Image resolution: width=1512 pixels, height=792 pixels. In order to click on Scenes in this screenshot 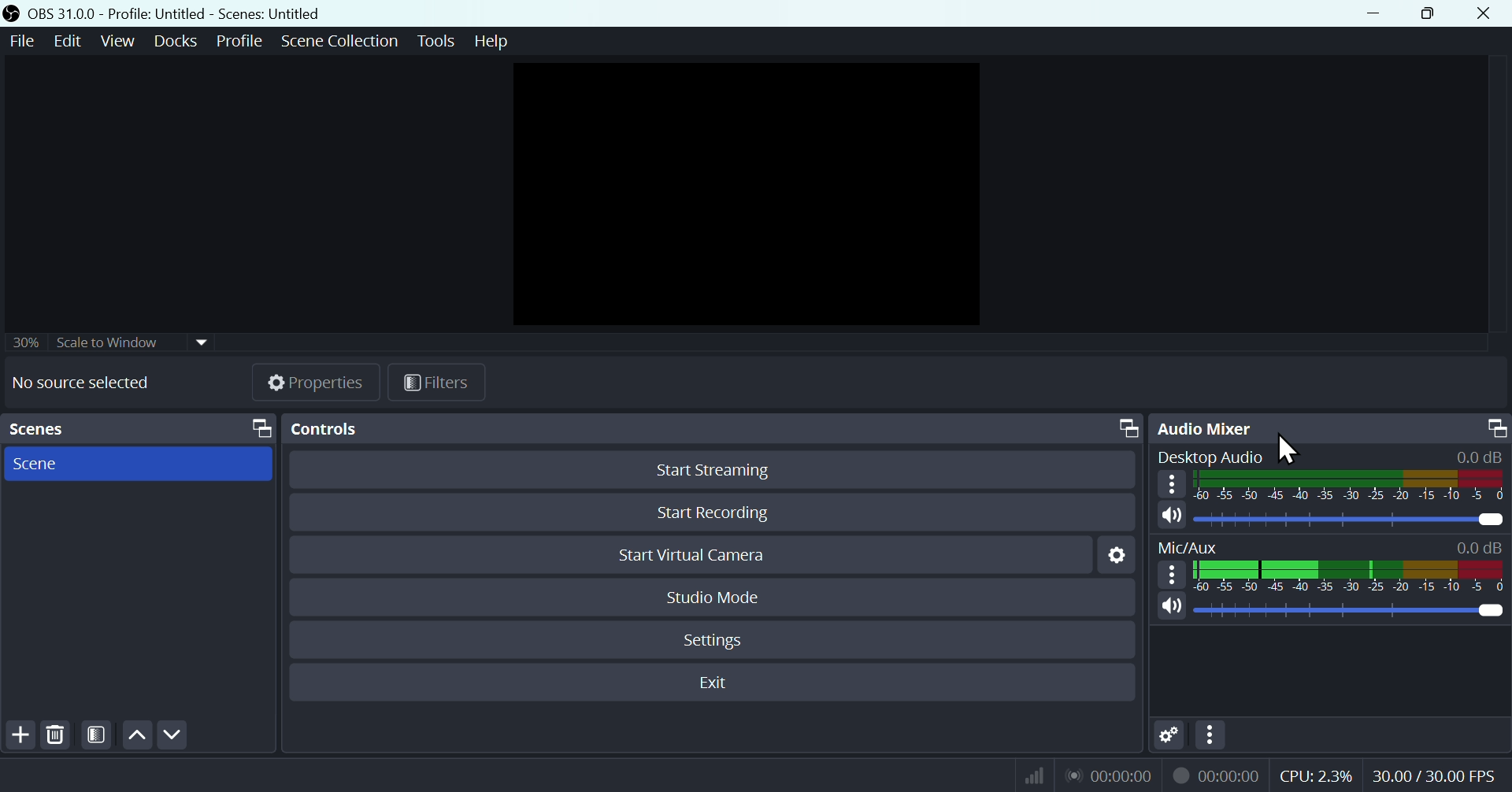, I will do `click(143, 427)`.